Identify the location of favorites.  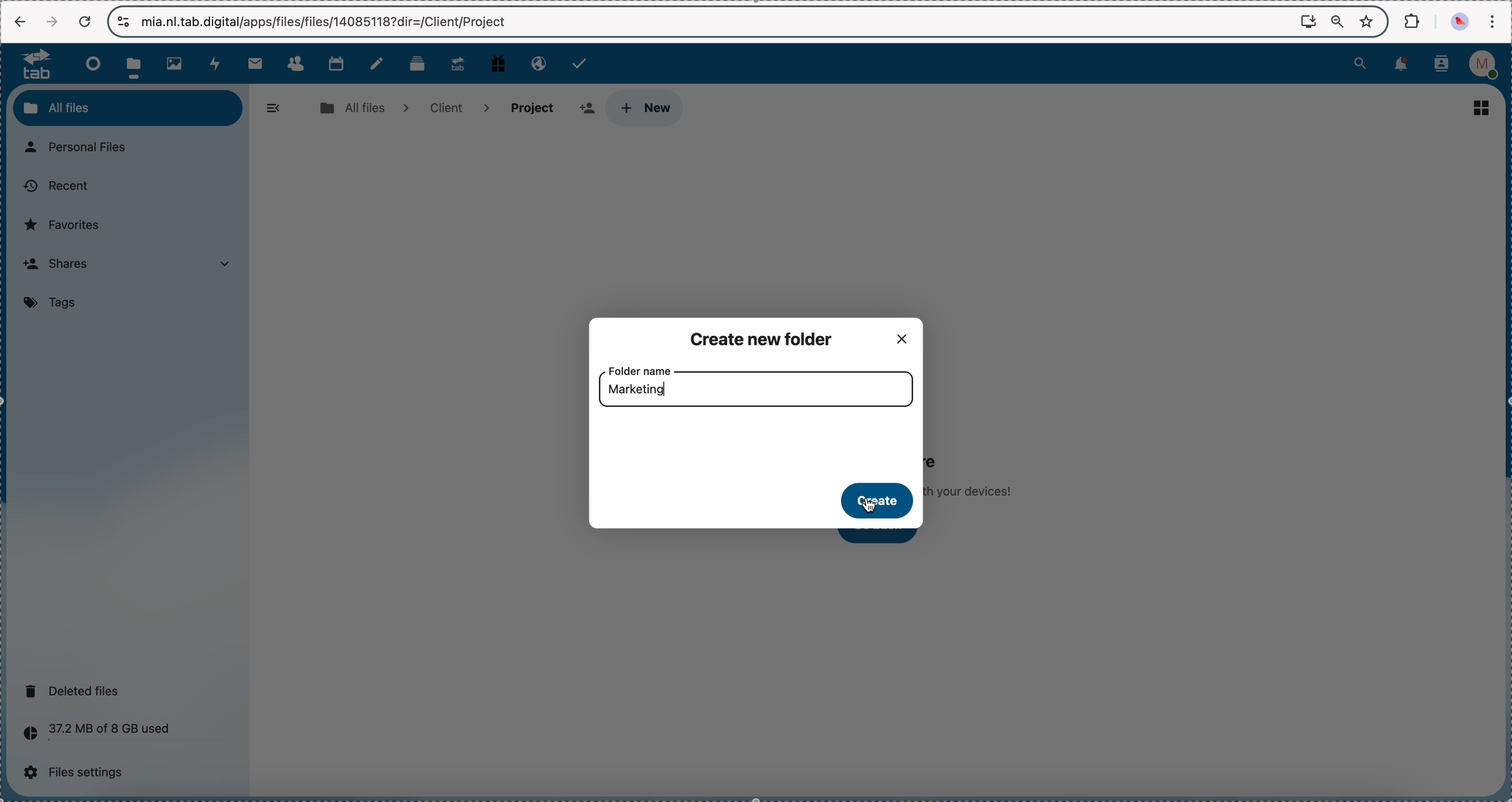
(1369, 21).